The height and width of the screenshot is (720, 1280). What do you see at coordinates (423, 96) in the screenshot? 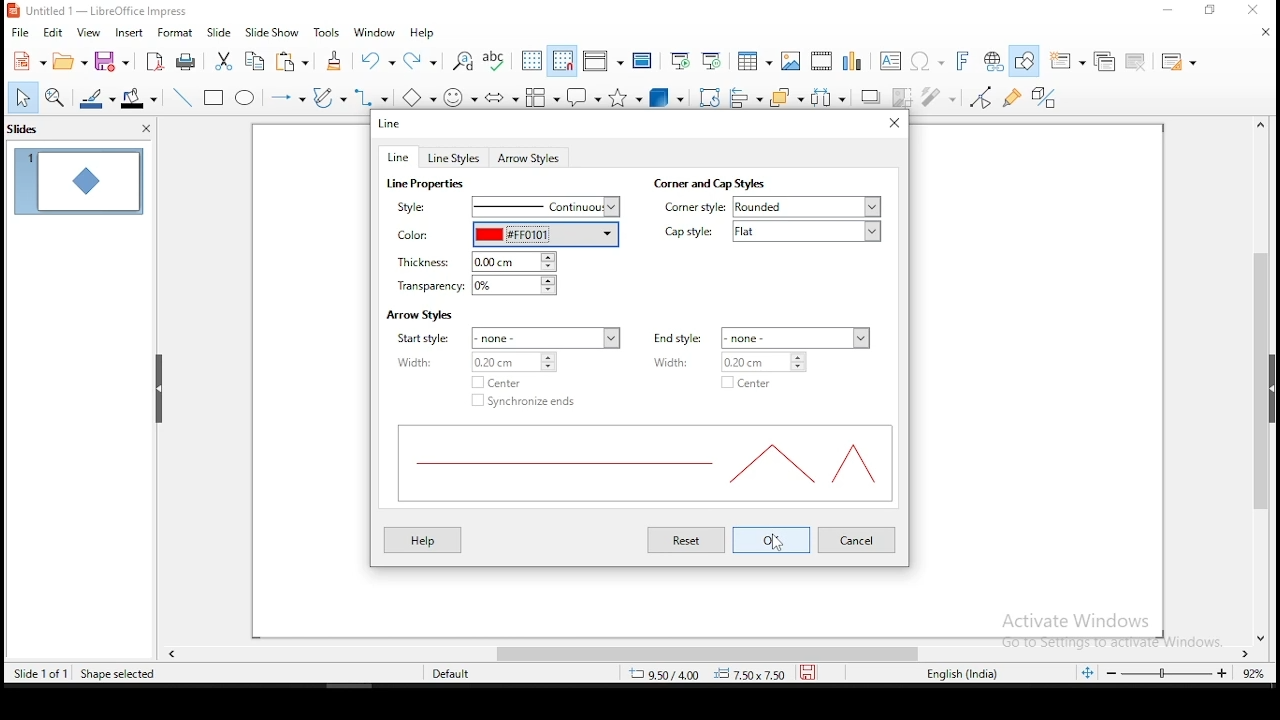
I see `basic shapes` at bounding box center [423, 96].